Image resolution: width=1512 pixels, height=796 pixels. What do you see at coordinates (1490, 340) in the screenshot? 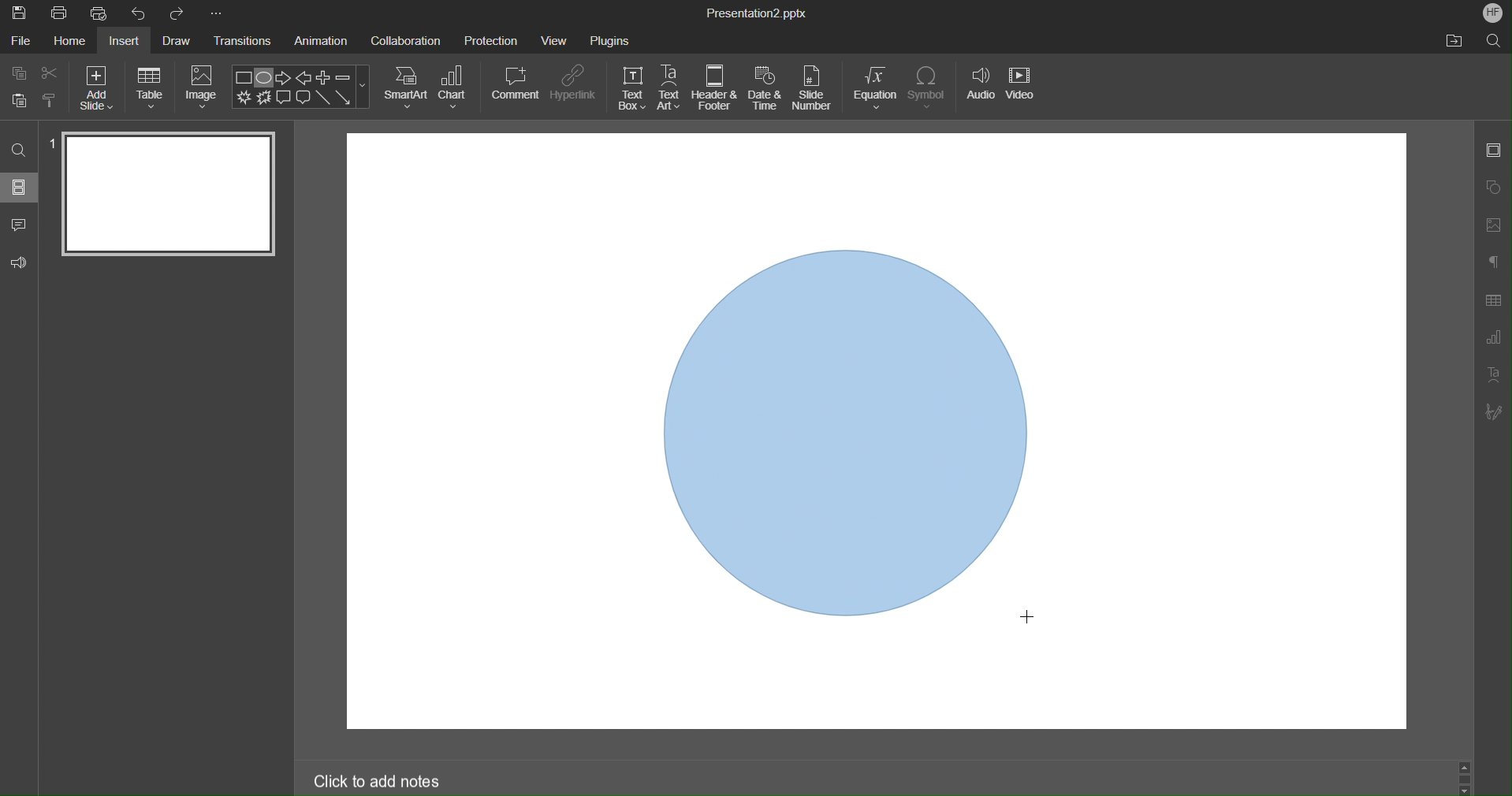
I see `Graph Settings` at bounding box center [1490, 340].